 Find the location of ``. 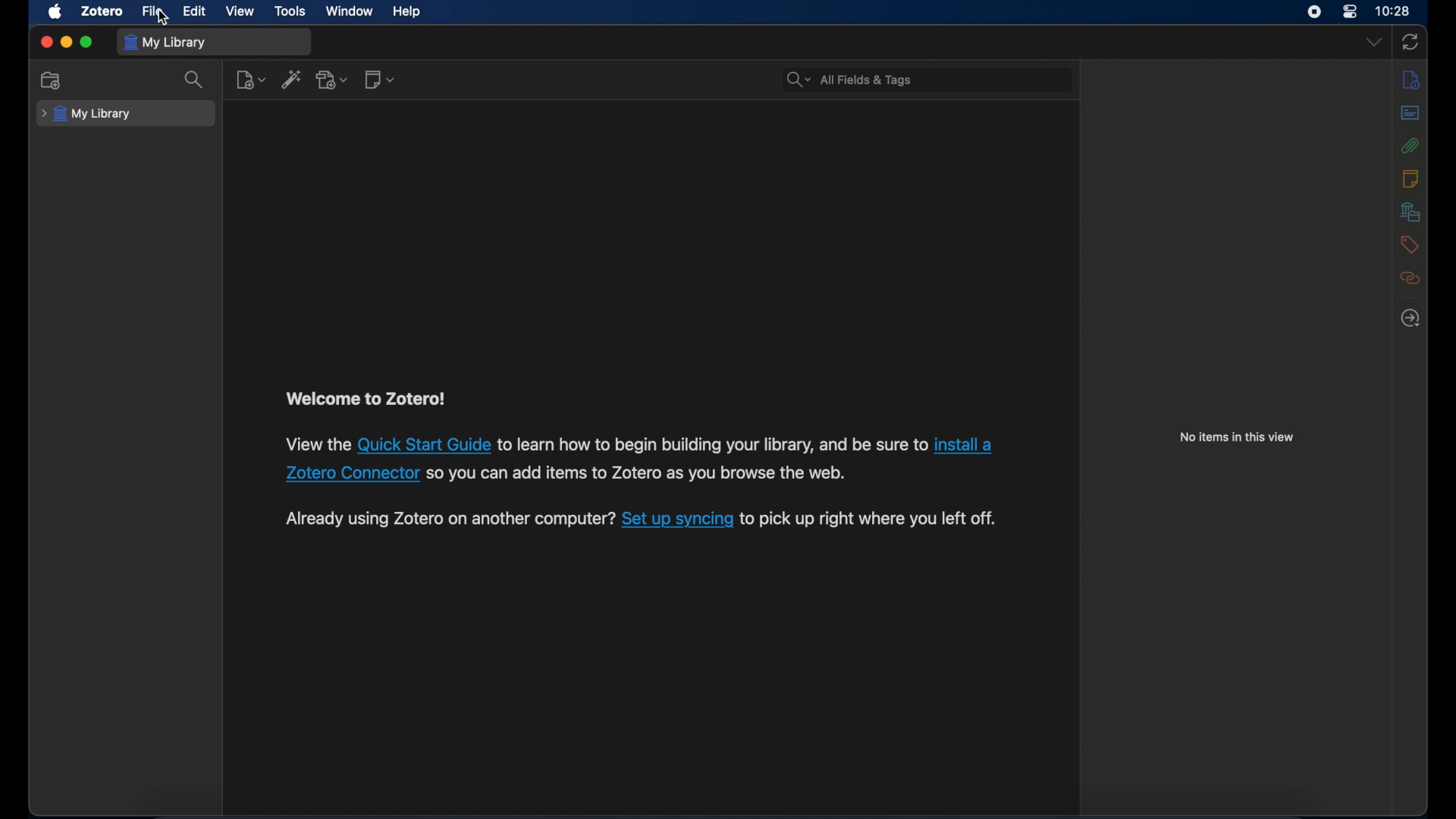

 is located at coordinates (677, 518).